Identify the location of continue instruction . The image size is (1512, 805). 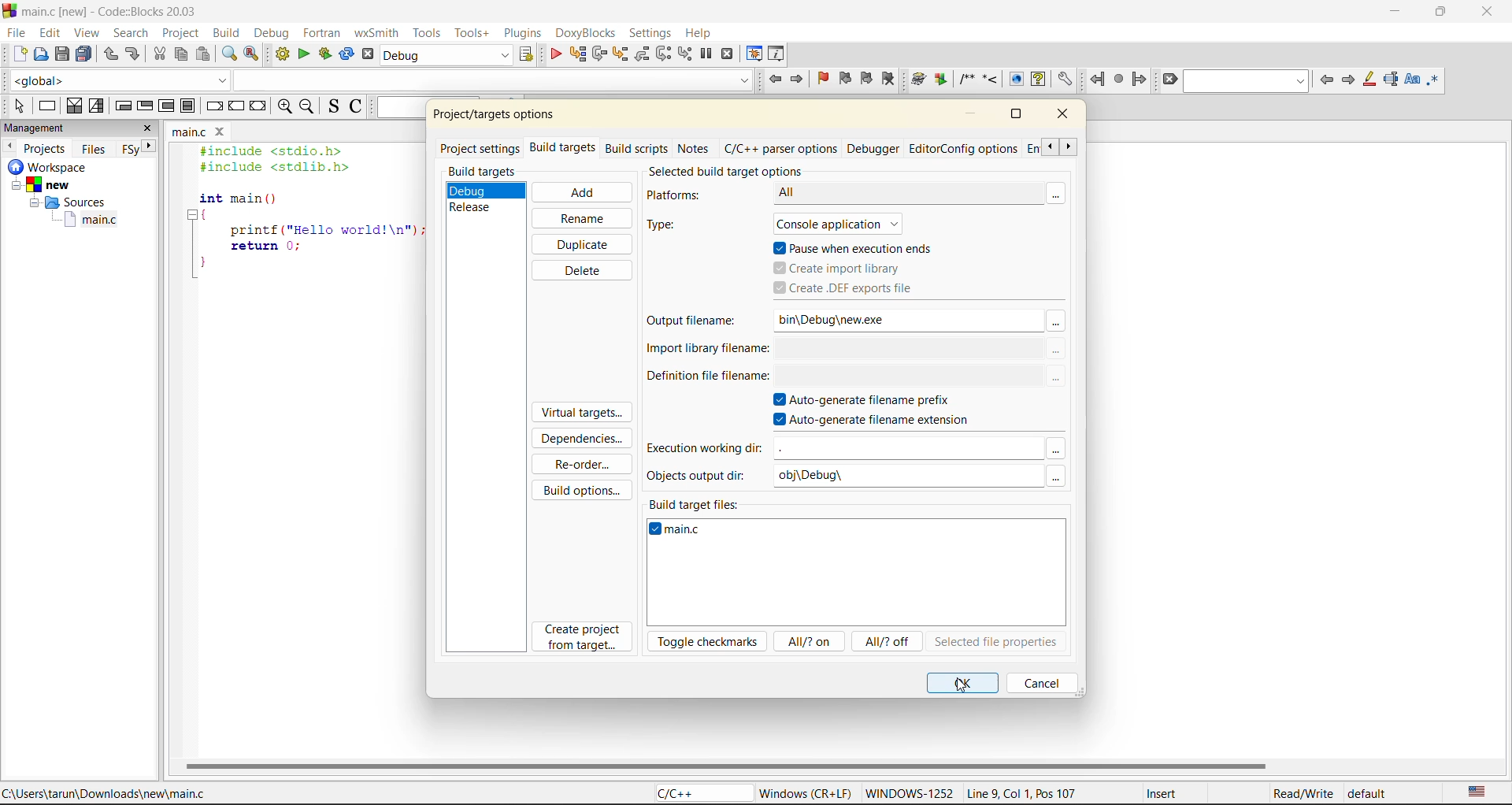
(236, 107).